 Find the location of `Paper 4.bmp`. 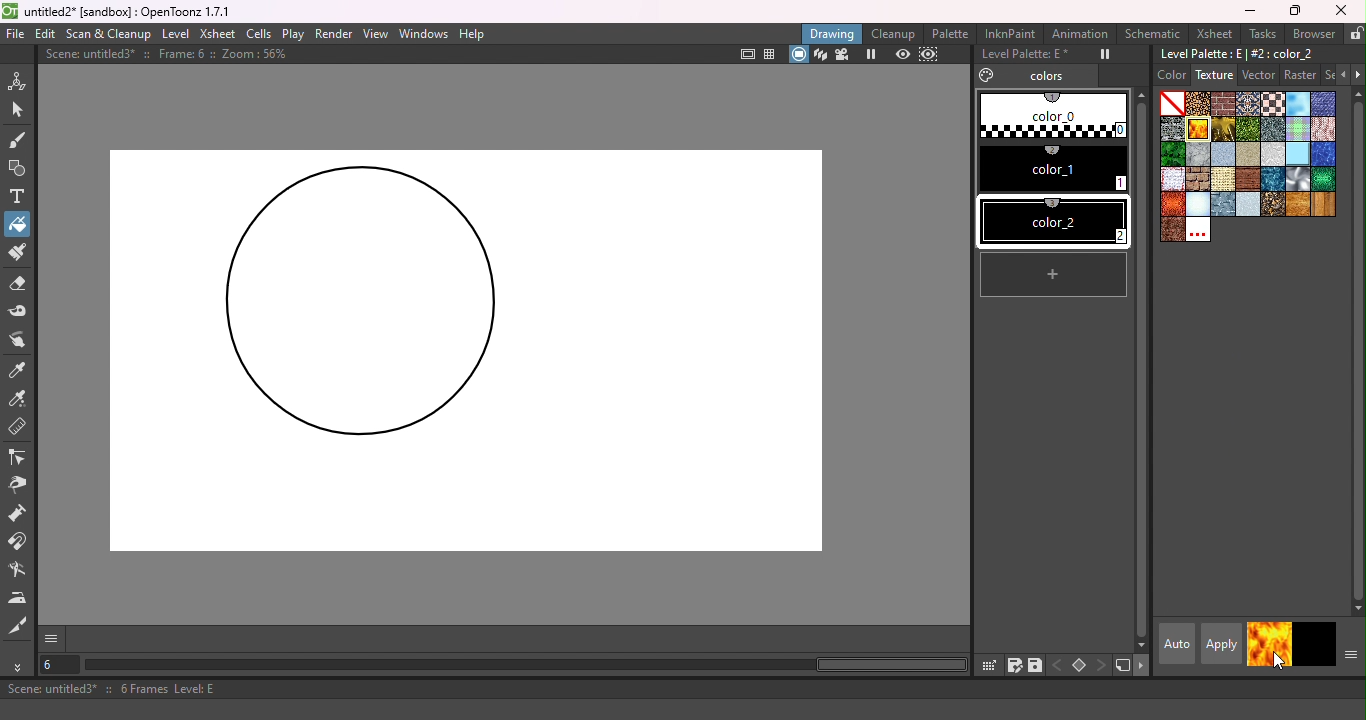

Paper 4.bmp is located at coordinates (1248, 154).